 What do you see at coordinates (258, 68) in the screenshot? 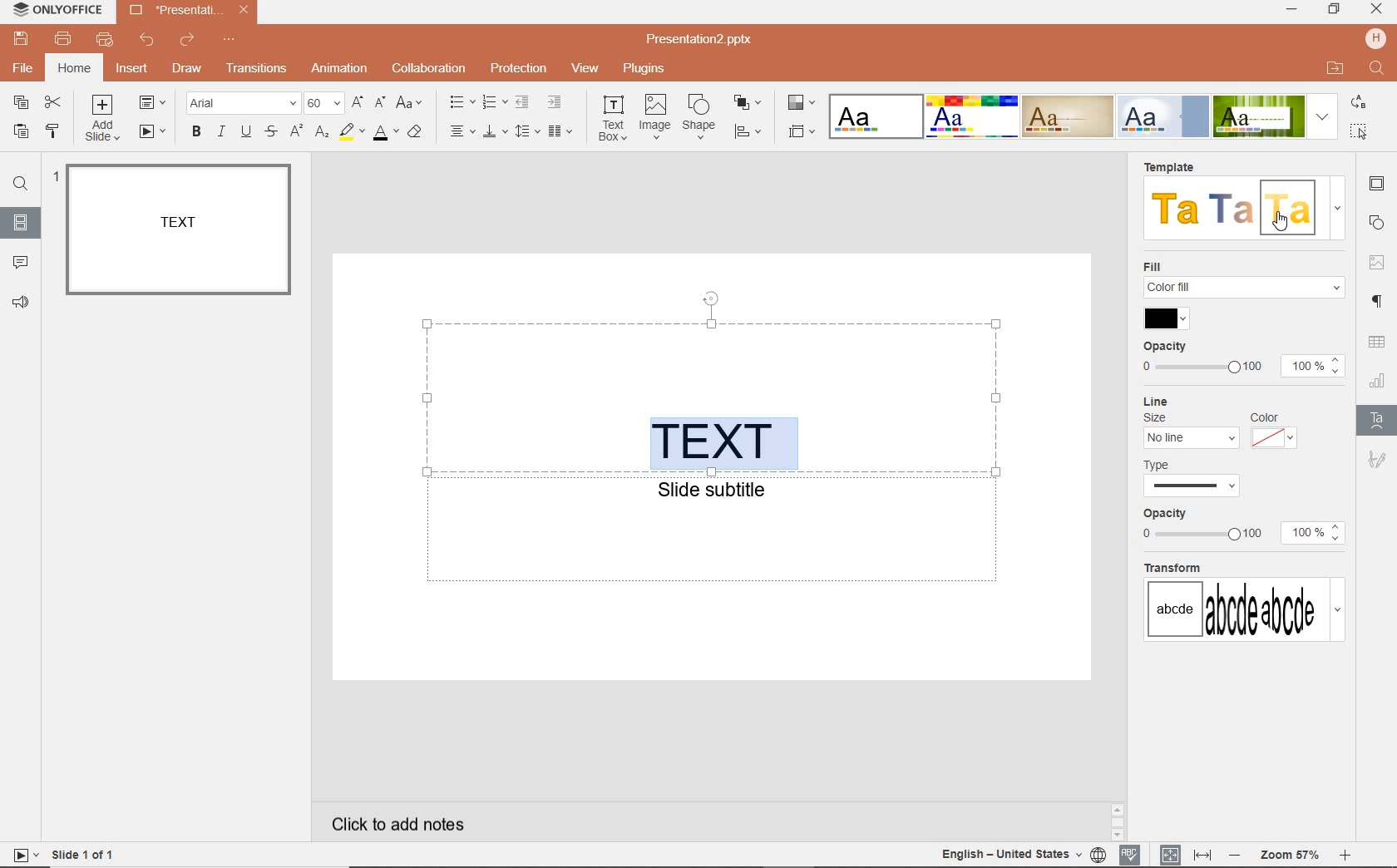
I see `TRANSITION` at bounding box center [258, 68].